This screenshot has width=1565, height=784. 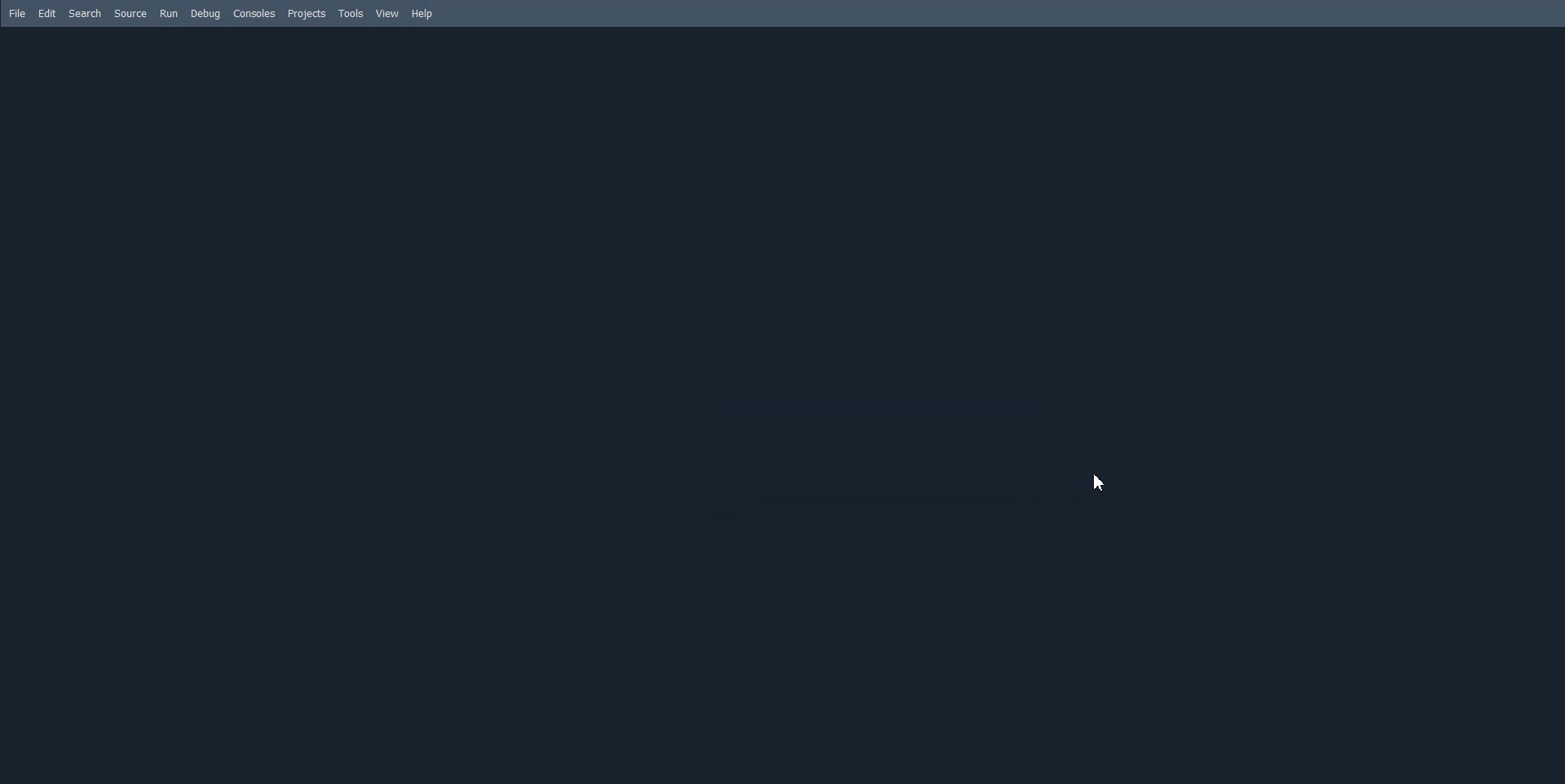 What do you see at coordinates (207, 14) in the screenshot?
I see `Debug` at bounding box center [207, 14].